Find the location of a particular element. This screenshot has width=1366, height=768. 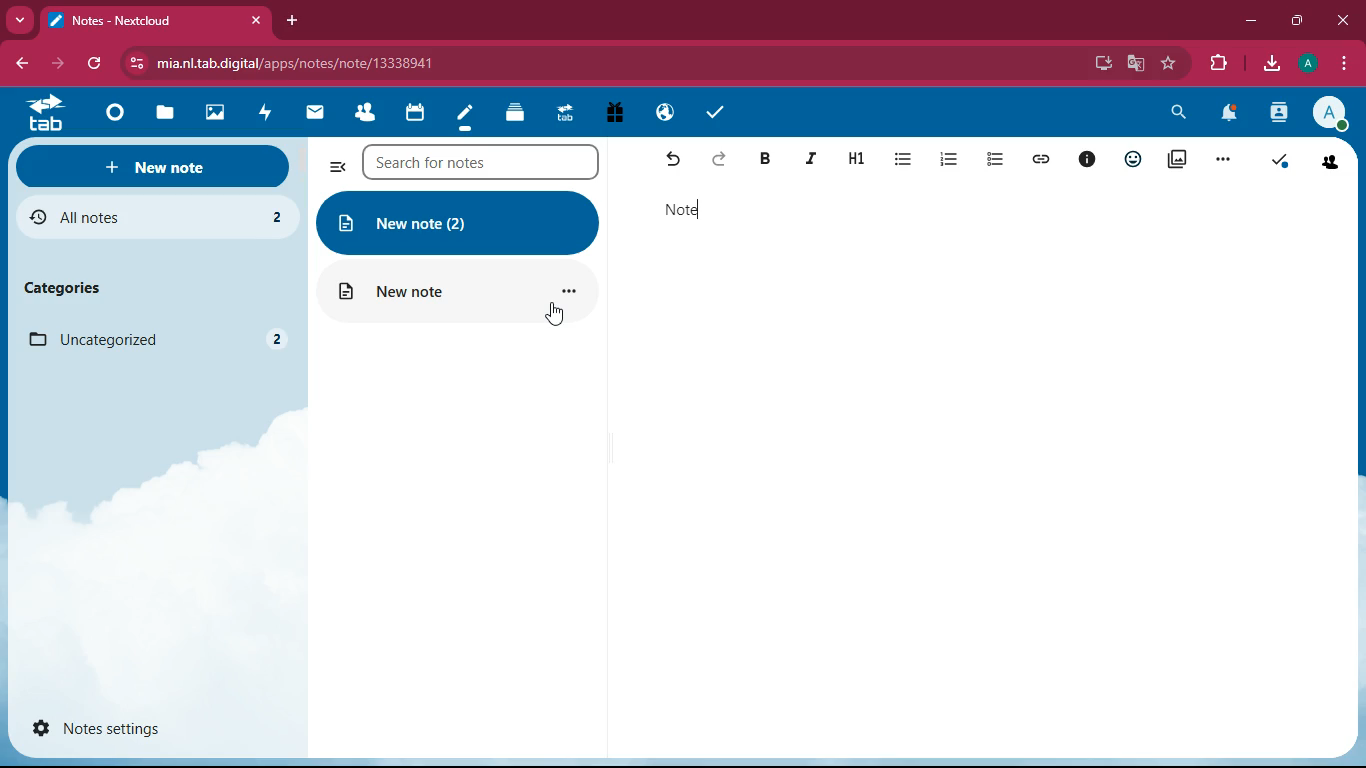

all notes is located at coordinates (149, 219).